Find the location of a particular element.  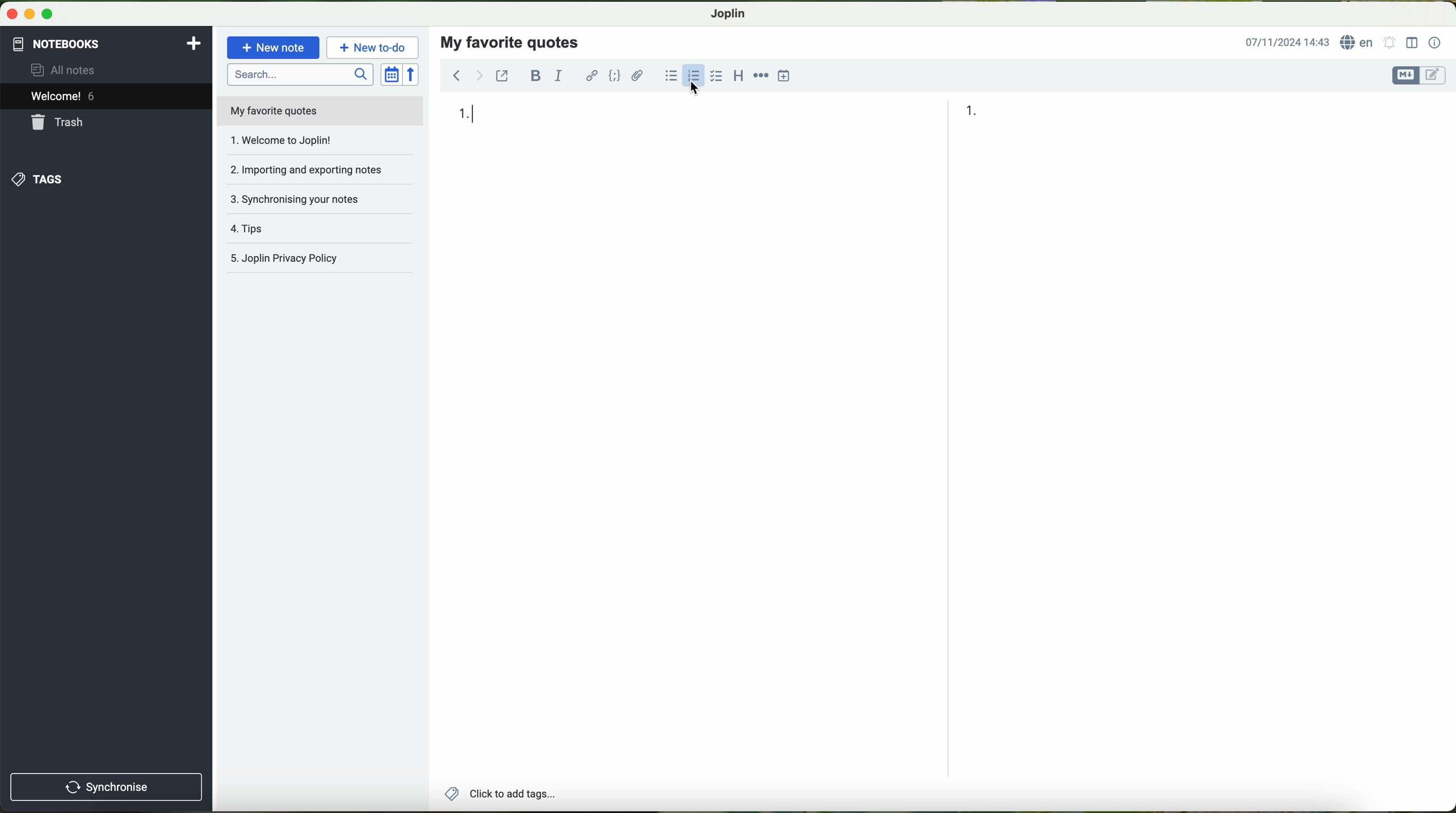

close is located at coordinates (9, 16).